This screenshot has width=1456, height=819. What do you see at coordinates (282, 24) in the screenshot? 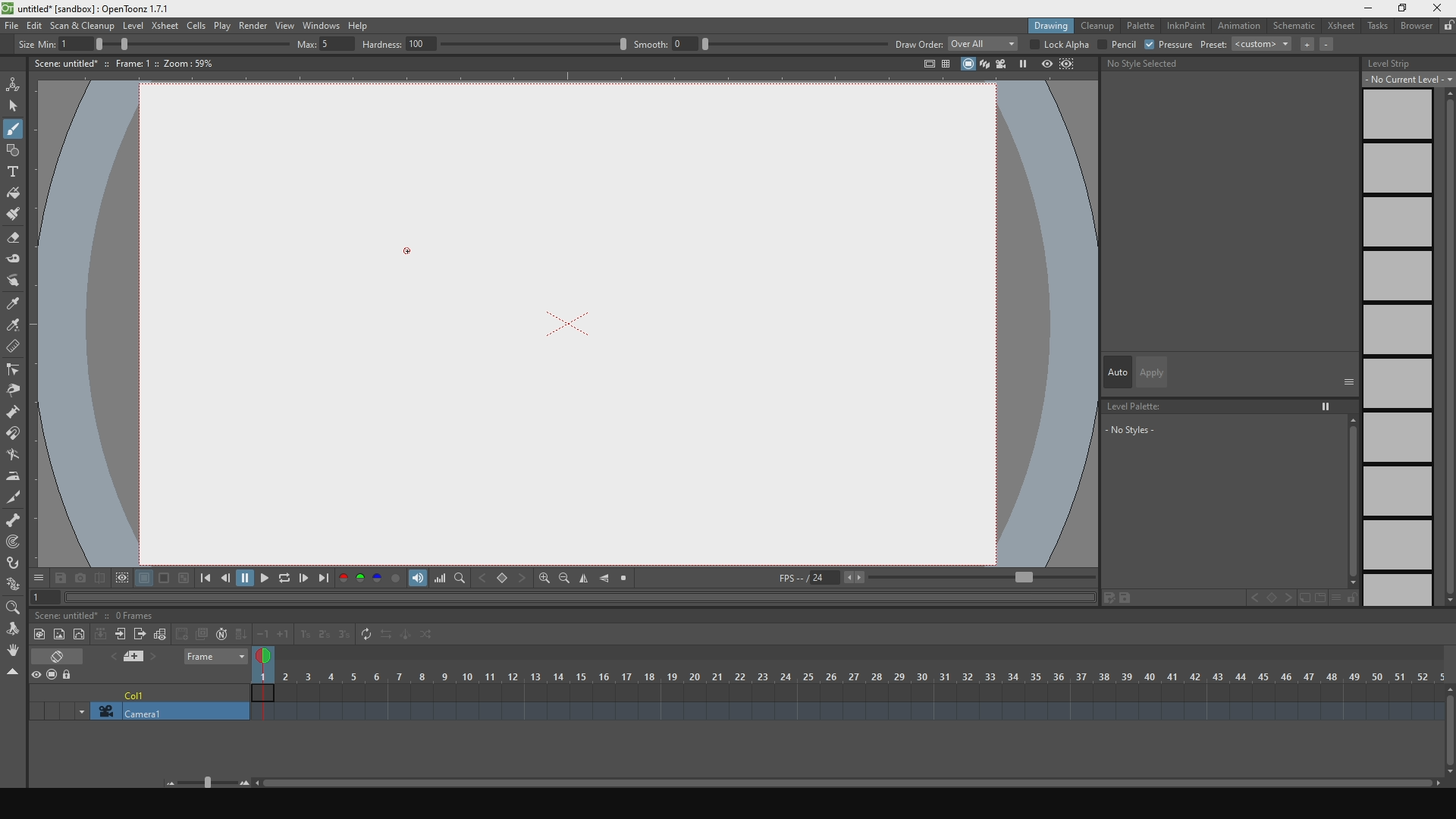
I see `view` at bounding box center [282, 24].